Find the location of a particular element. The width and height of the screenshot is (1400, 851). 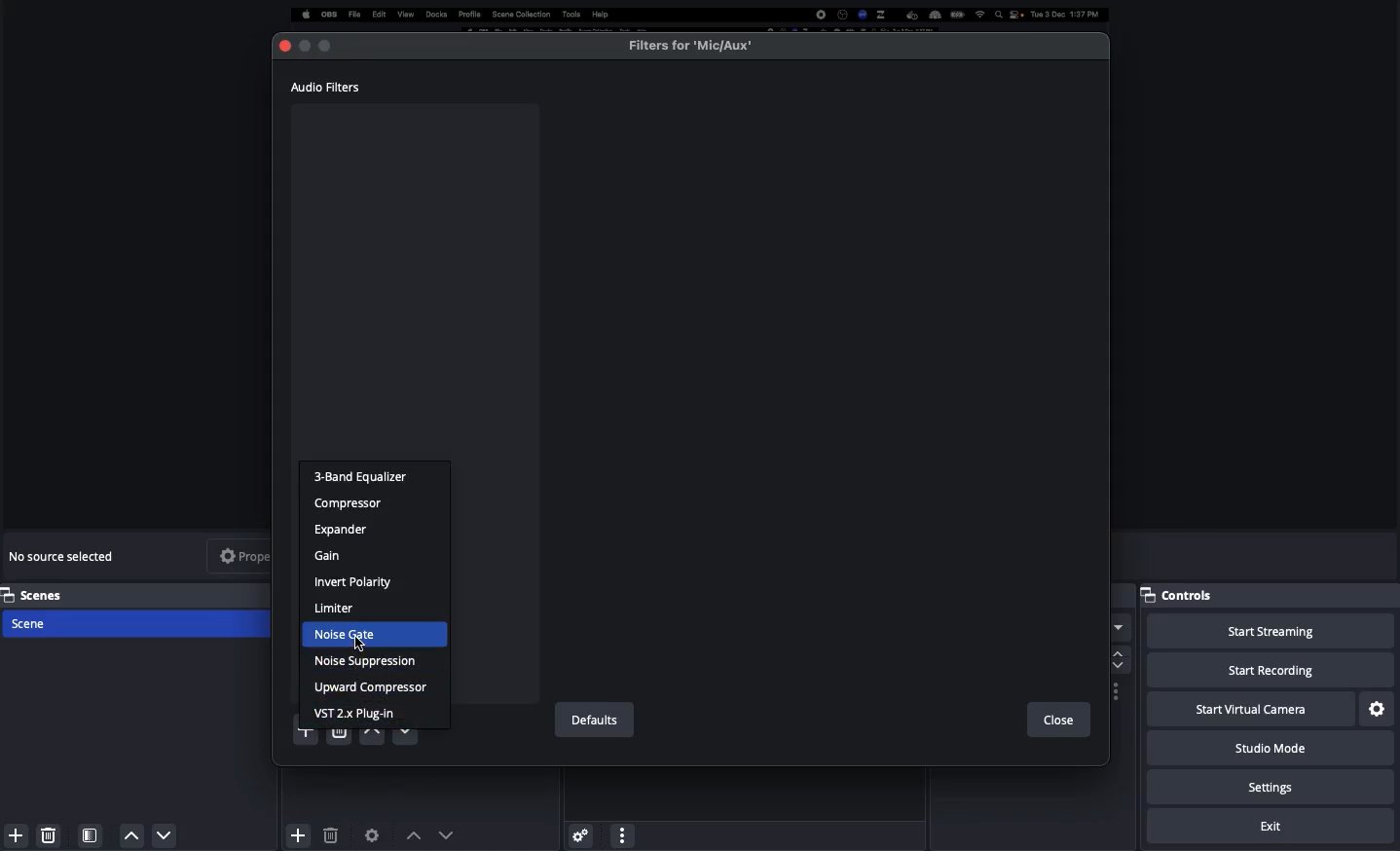

Settings is located at coordinates (1378, 708).